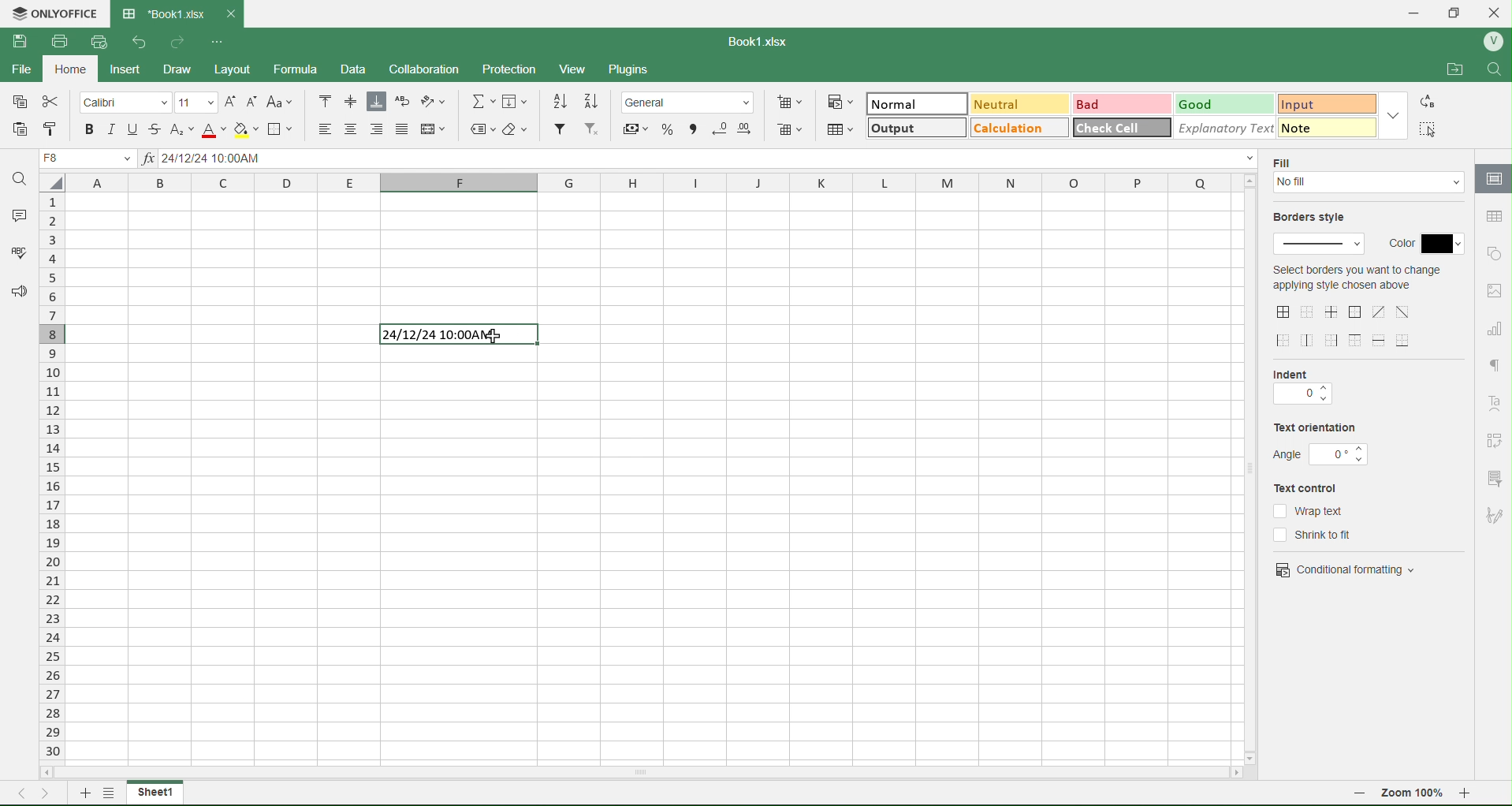  Describe the element at coordinates (763, 39) in the screenshot. I see `Book1.xlsx` at that location.